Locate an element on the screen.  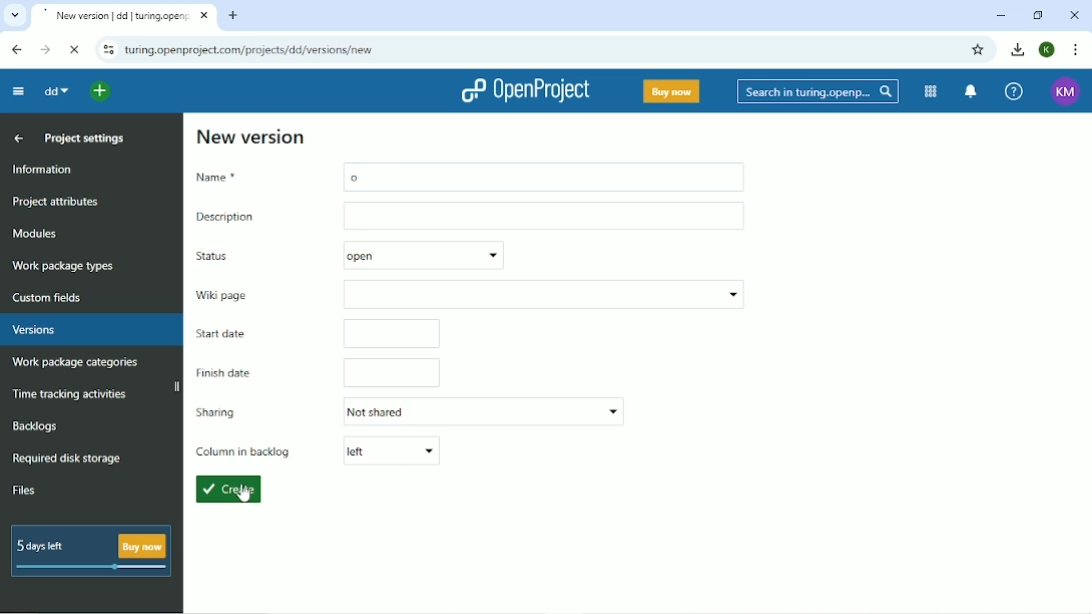
Cursor is located at coordinates (242, 494).